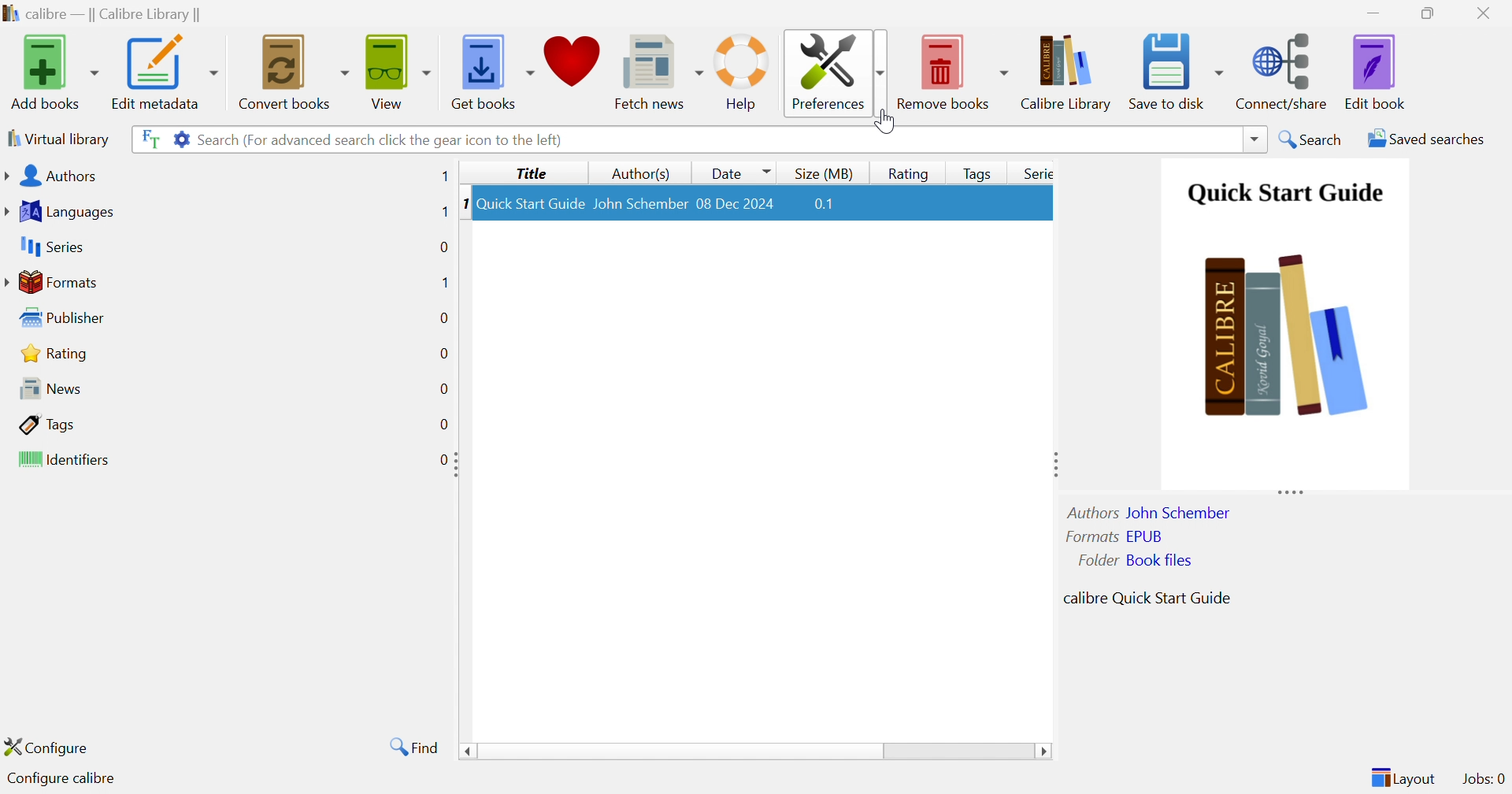  What do you see at coordinates (743, 72) in the screenshot?
I see `Help` at bounding box center [743, 72].